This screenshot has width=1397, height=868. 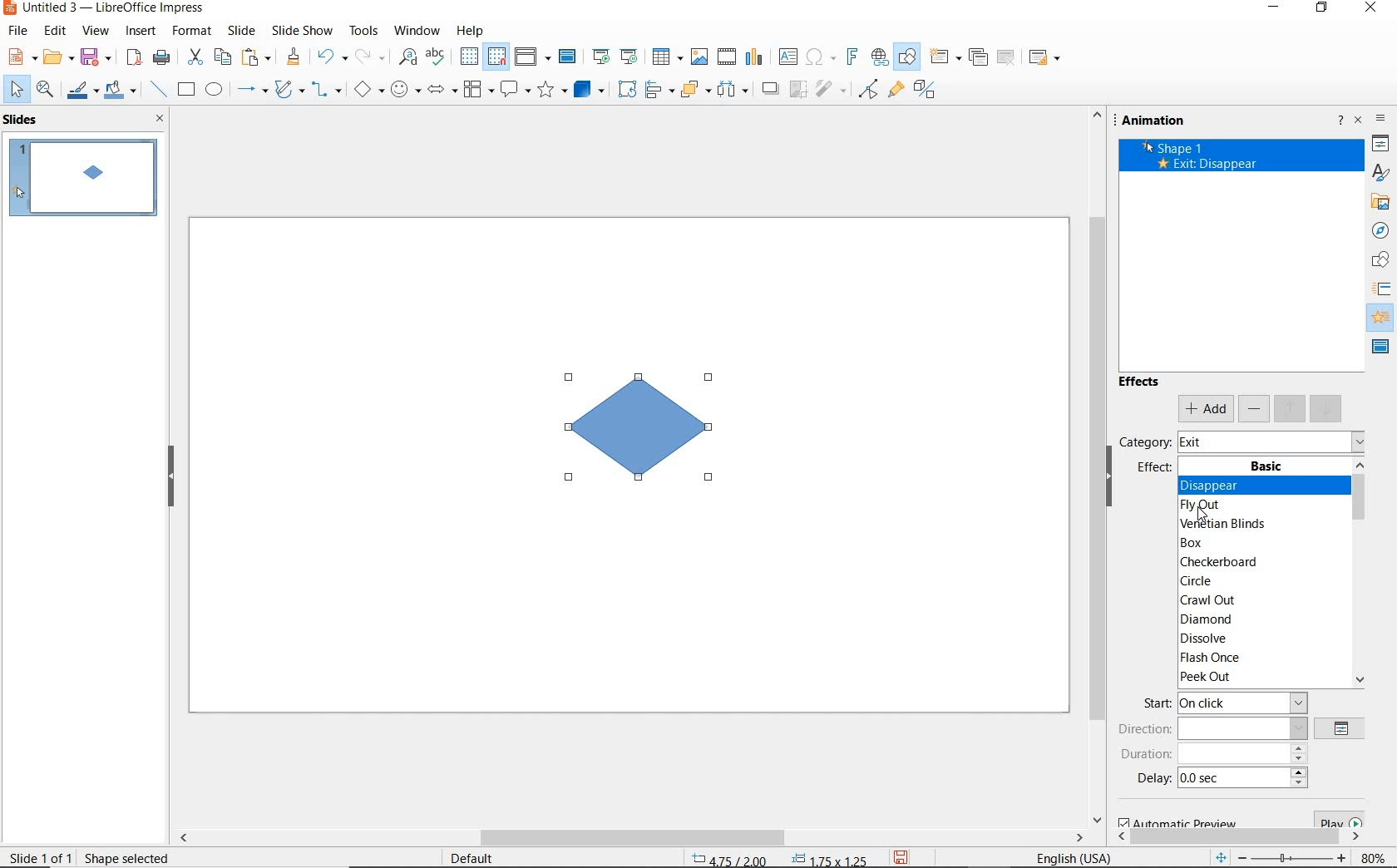 What do you see at coordinates (1258, 620) in the screenshot?
I see `diamond` at bounding box center [1258, 620].